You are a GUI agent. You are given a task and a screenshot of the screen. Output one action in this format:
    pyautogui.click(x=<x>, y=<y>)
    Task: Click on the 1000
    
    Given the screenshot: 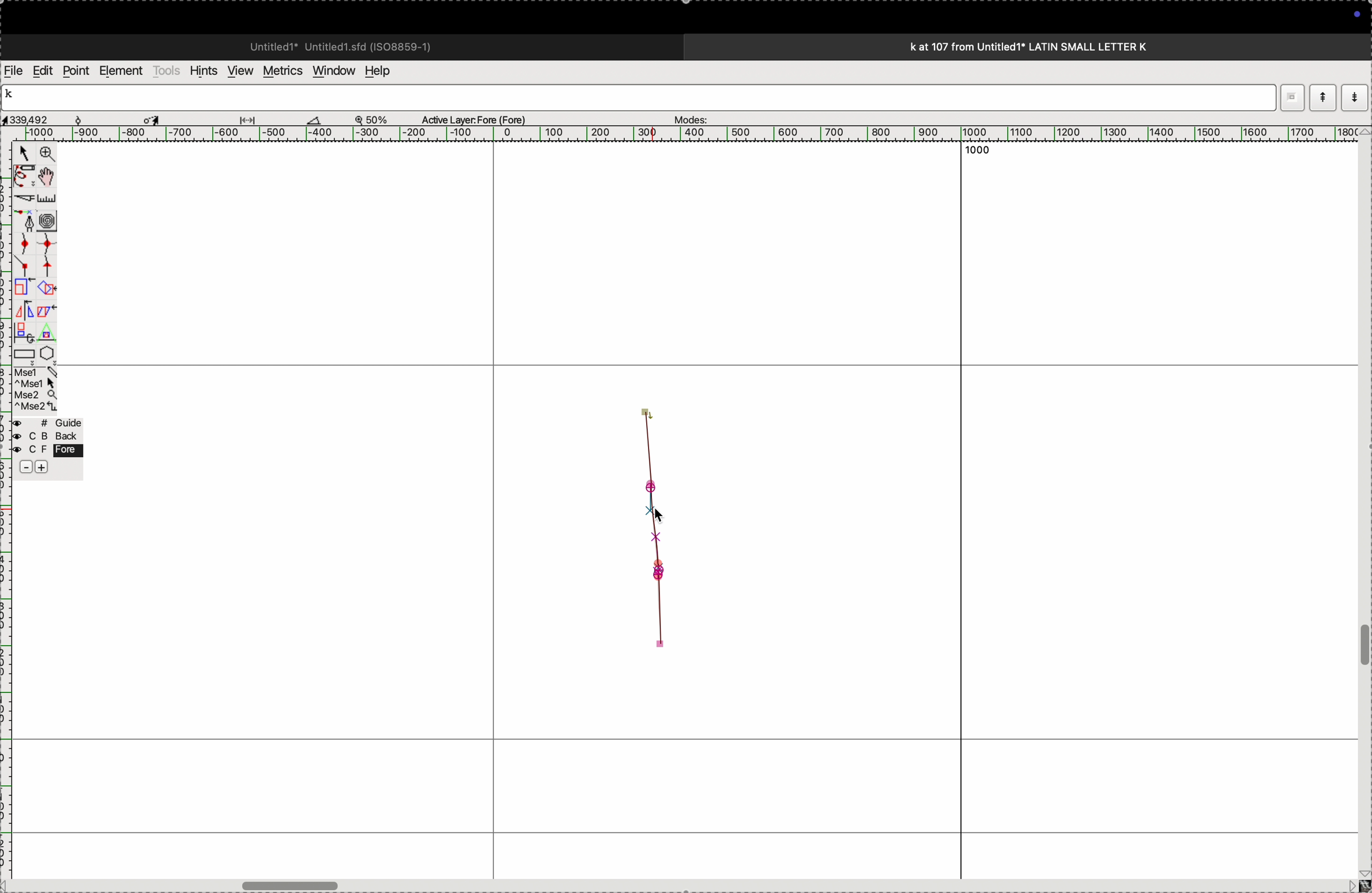 What is the action you would take?
    pyautogui.click(x=979, y=152)
    